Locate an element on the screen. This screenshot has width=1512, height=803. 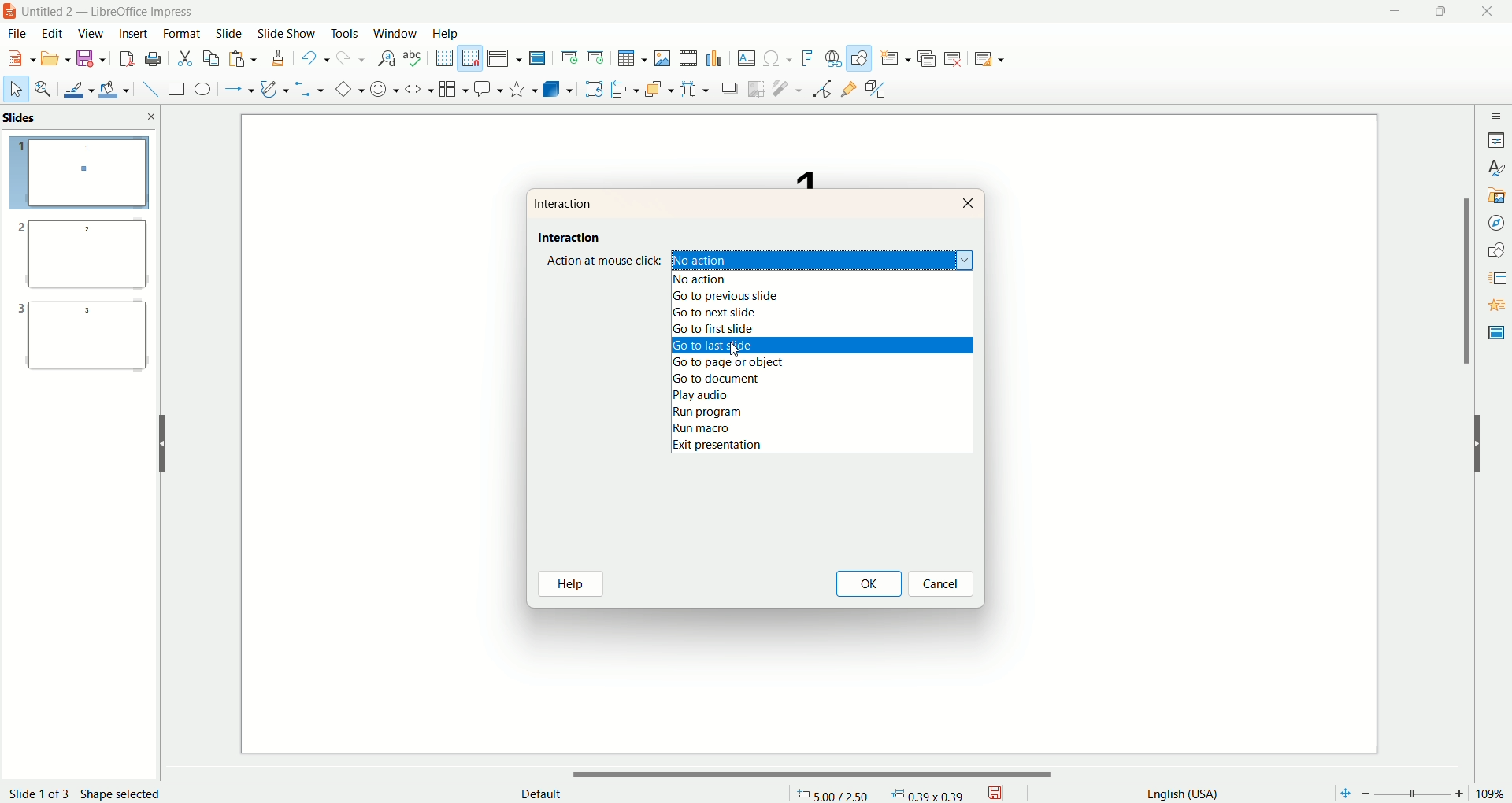
tools is located at coordinates (346, 37).